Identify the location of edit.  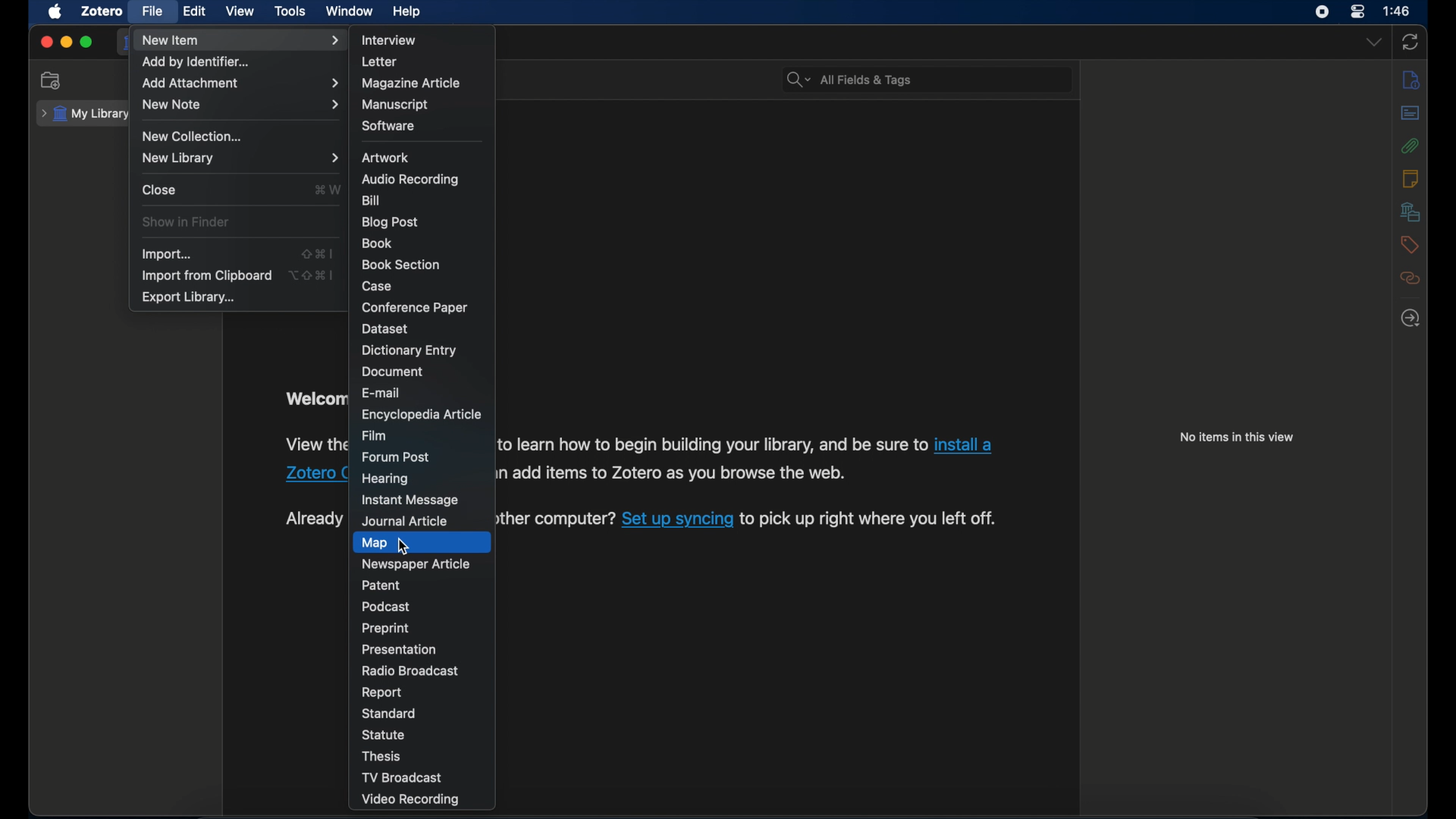
(193, 11).